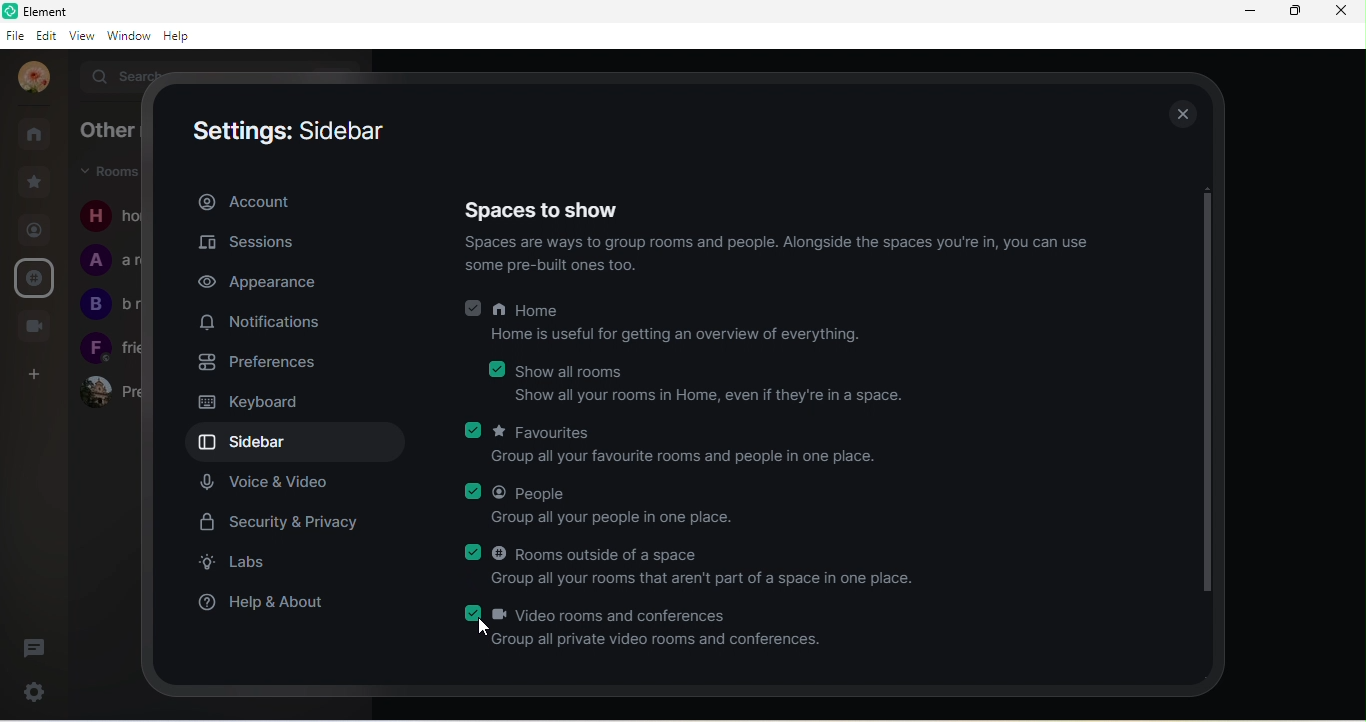  What do you see at coordinates (1207, 389) in the screenshot?
I see `vertical scroll bar` at bounding box center [1207, 389].